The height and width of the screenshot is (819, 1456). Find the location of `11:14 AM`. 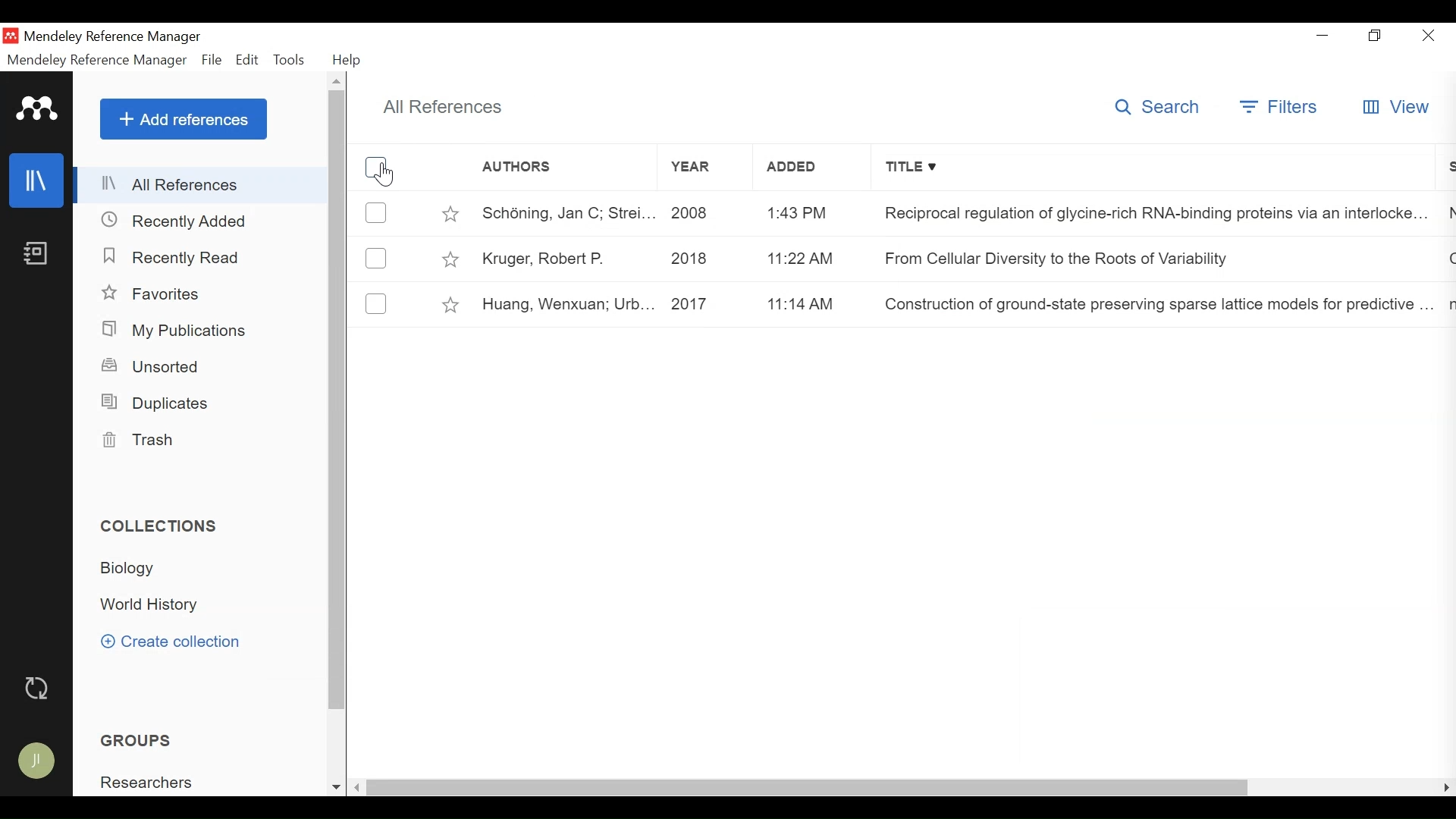

11:14 AM is located at coordinates (804, 303).